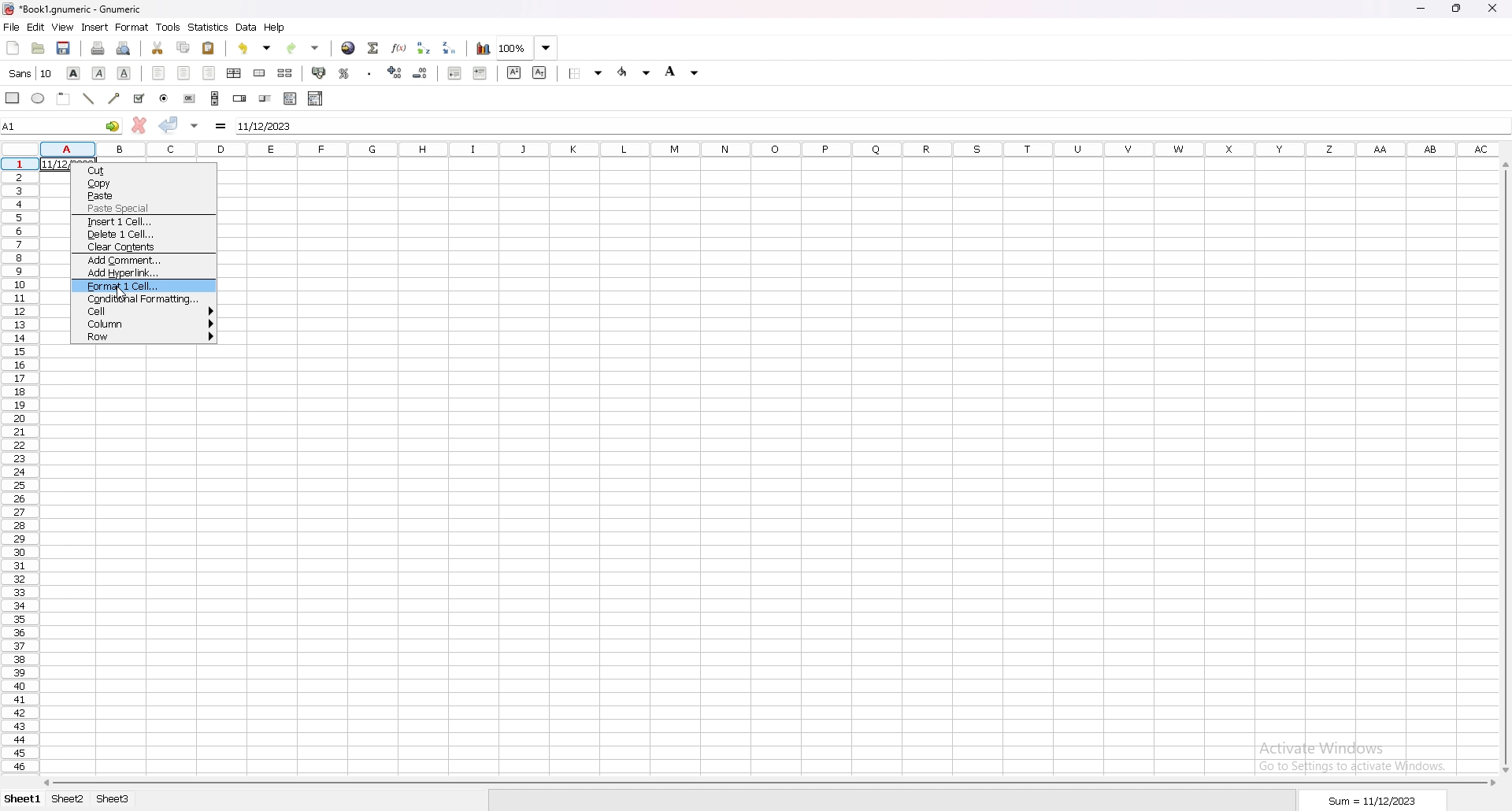 The image size is (1512, 811). Describe the element at coordinates (481, 73) in the screenshot. I see `increase indent` at that location.